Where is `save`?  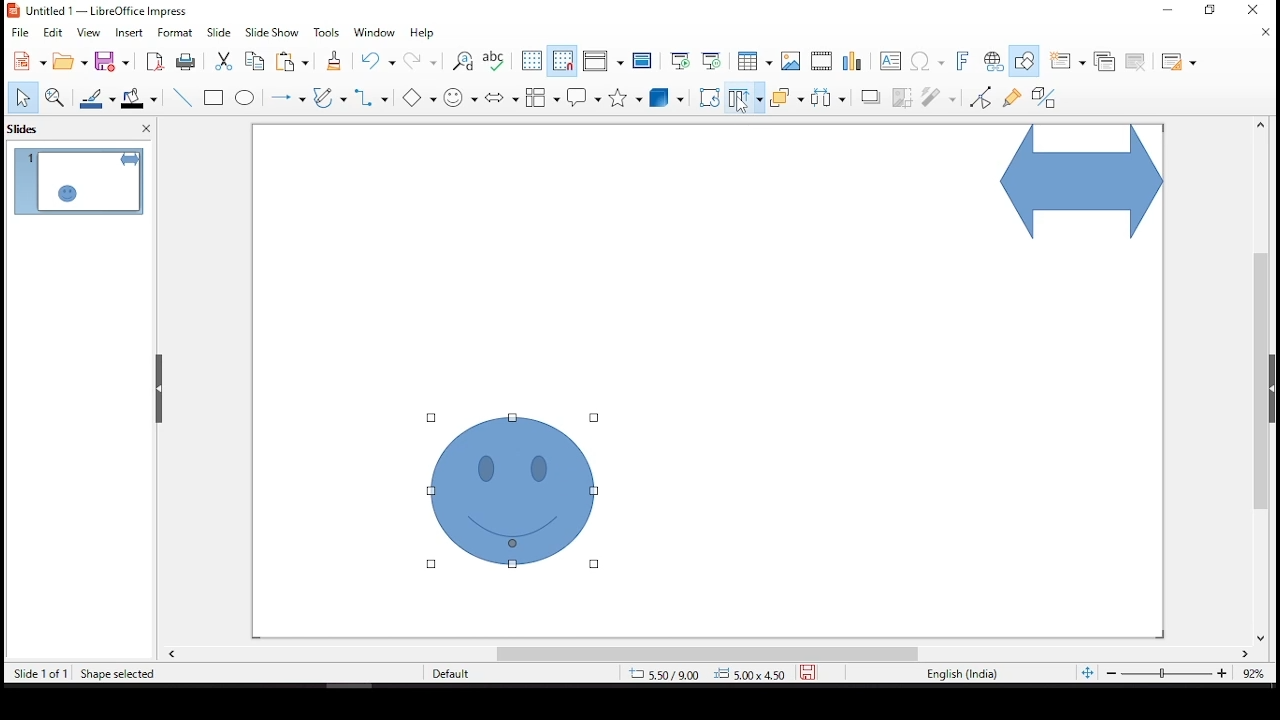
save is located at coordinates (115, 62).